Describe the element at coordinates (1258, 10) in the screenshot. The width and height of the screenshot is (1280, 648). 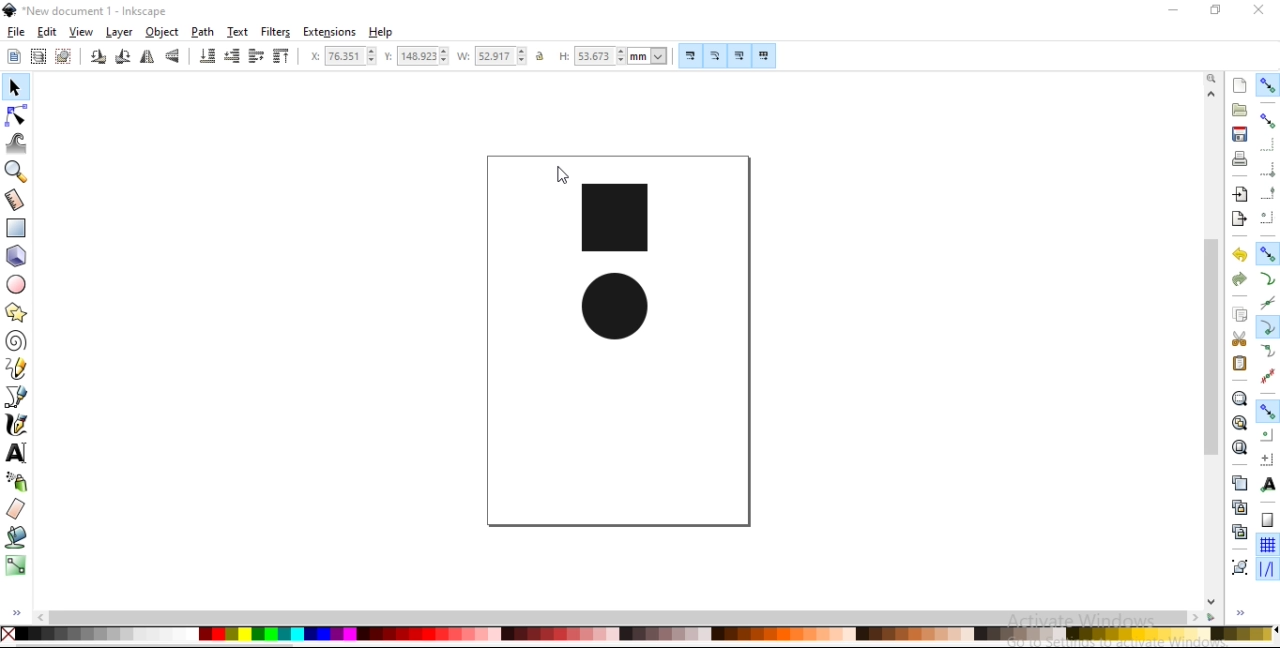
I see `close` at that location.